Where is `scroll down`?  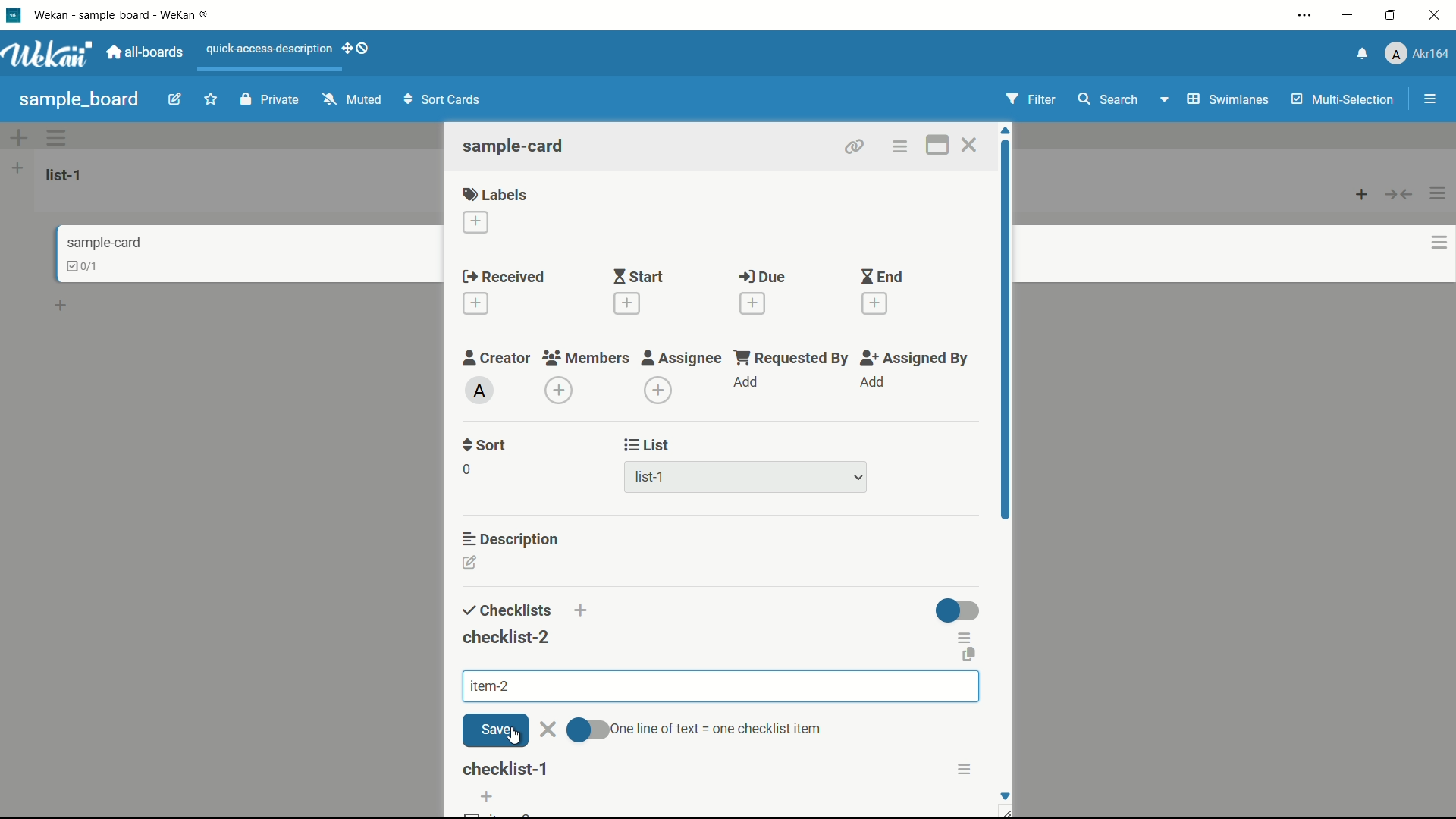 scroll down is located at coordinates (1004, 795).